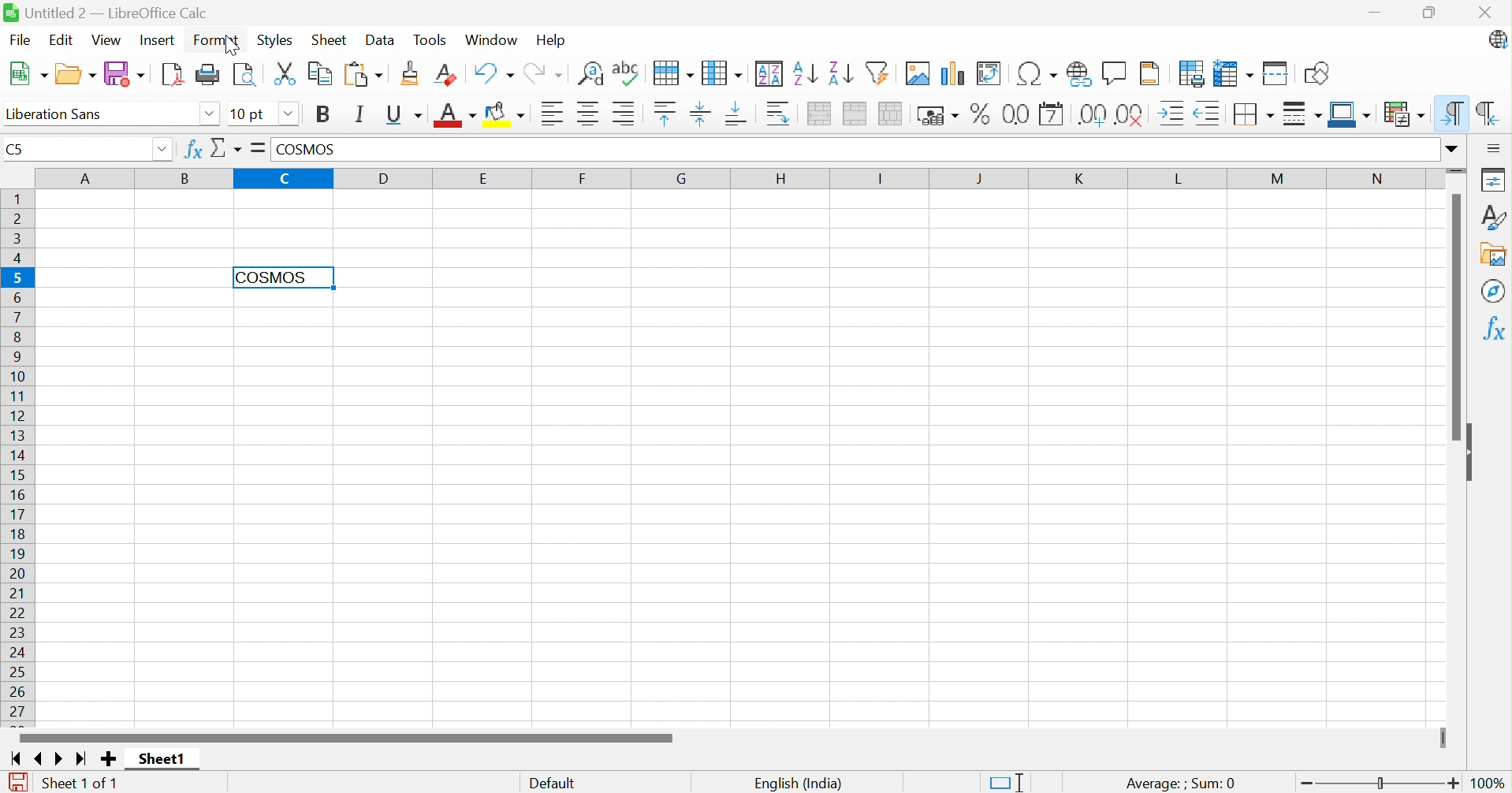  I want to click on Align Center, so click(589, 113).